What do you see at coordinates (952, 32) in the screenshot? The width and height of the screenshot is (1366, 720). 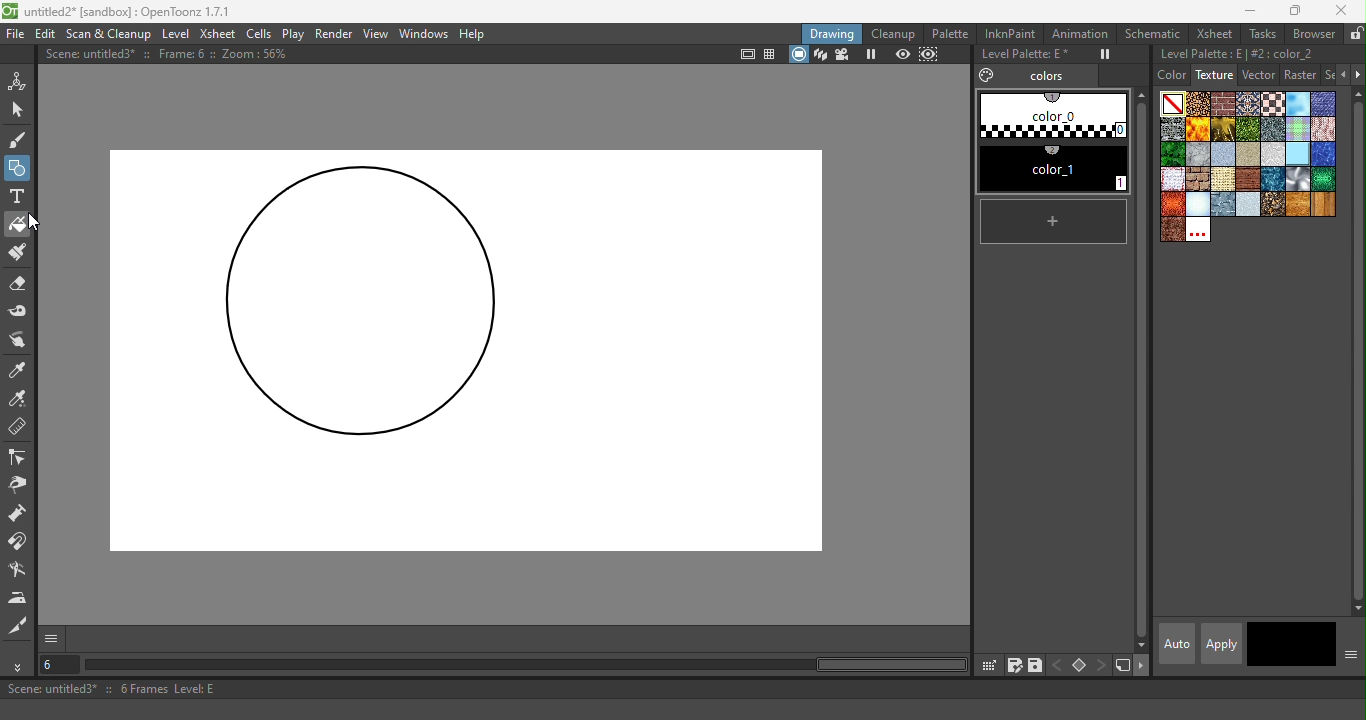 I see `Palette` at bounding box center [952, 32].